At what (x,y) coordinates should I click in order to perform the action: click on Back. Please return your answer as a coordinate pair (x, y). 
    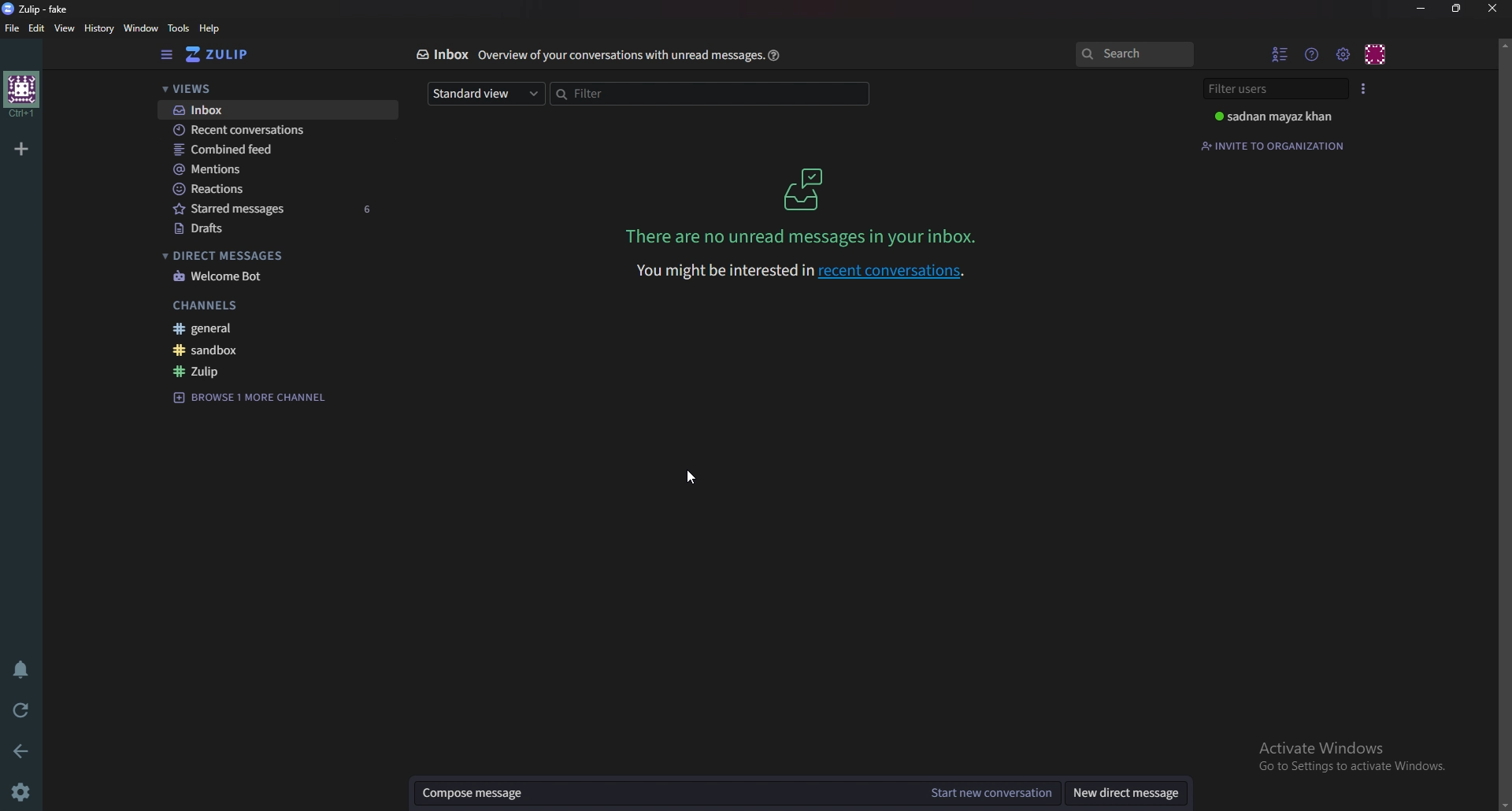
    Looking at the image, I should click on (24, 751).